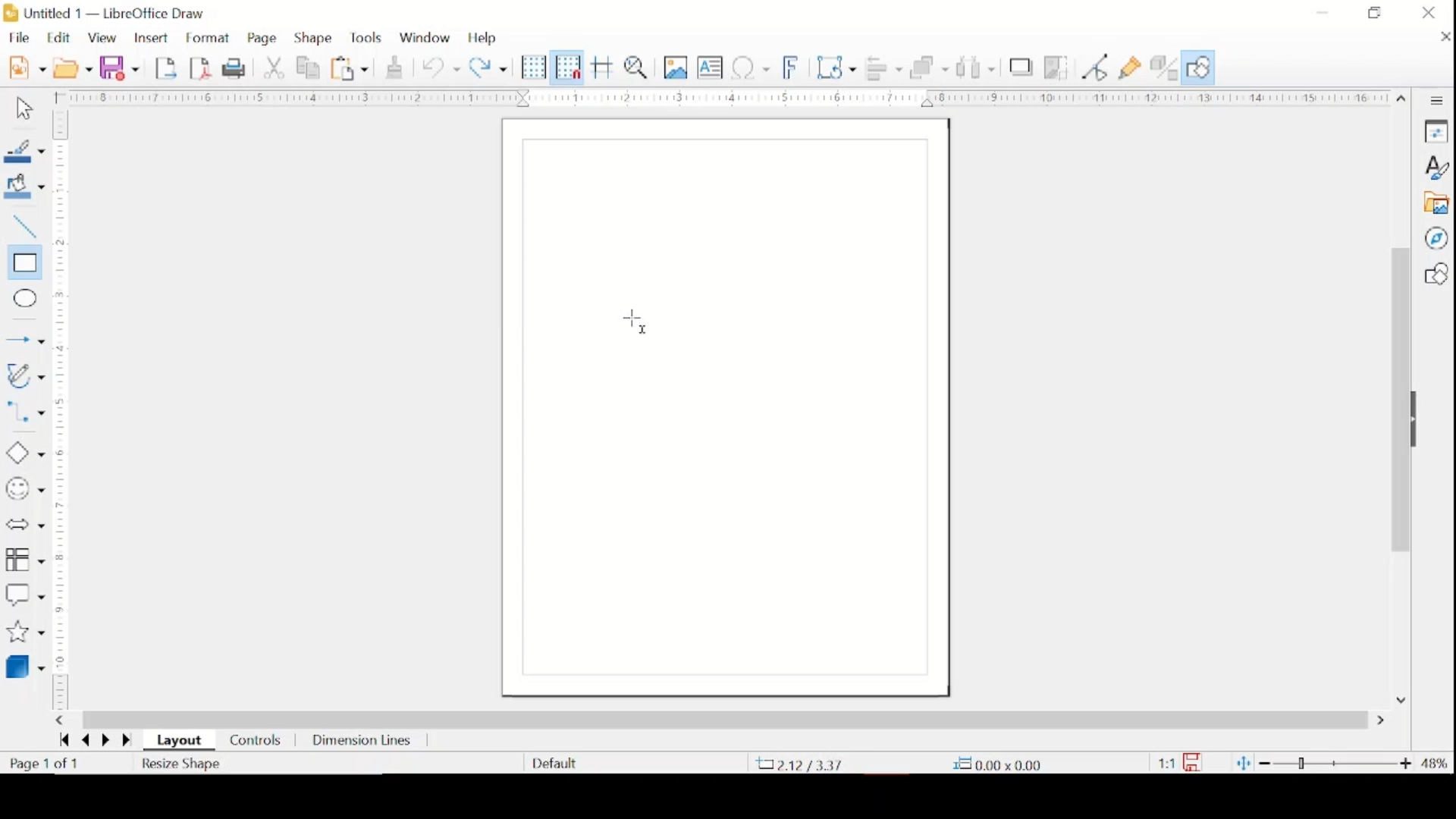 Image resolution: width=1456 pixels, height=819 pixels. I want to click on paste options, so click(350, 69).